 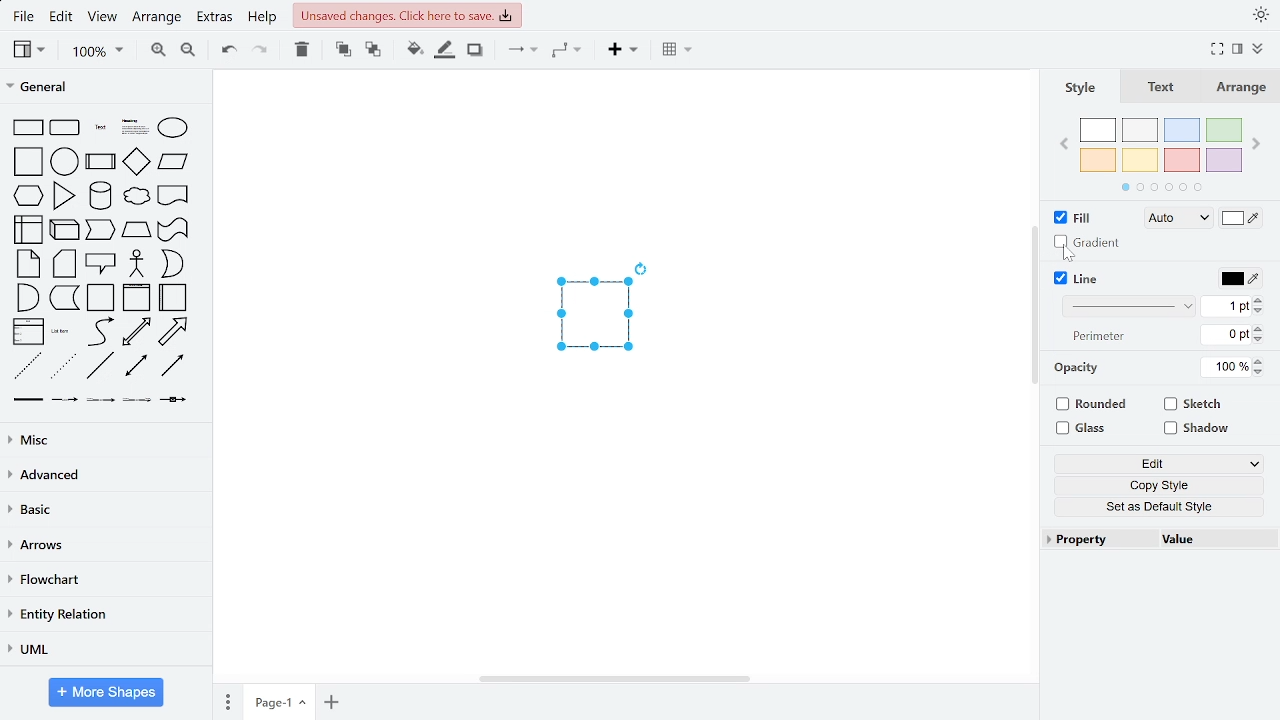 What do you see at coordinates (586, 310) in the screenshot?
I see `current diagram` at bounding box center [586, 310].